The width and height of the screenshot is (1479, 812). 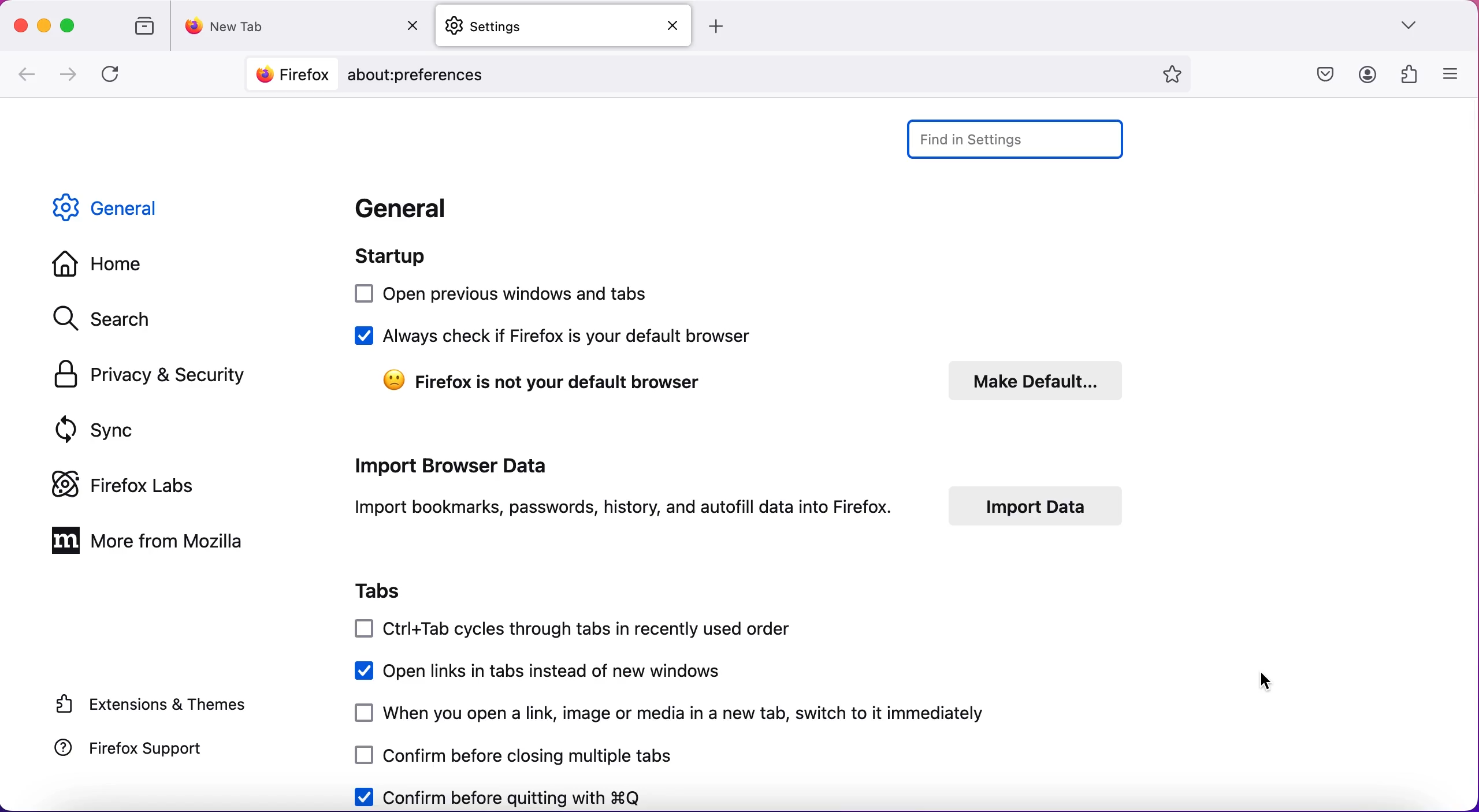 I want to click on settings, so click(x=550, y=25).